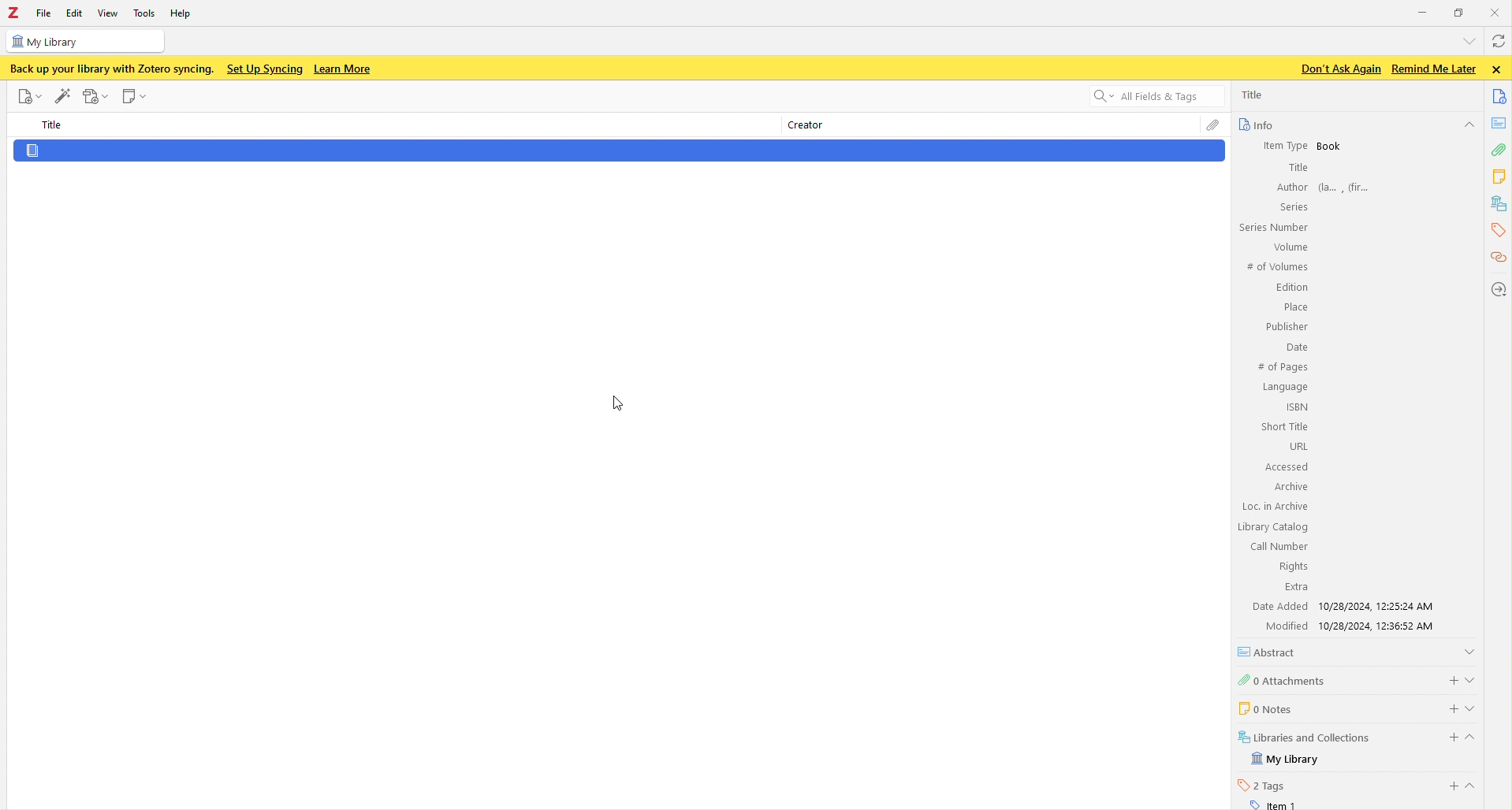  I want to click on Date, so click(1295, 348).